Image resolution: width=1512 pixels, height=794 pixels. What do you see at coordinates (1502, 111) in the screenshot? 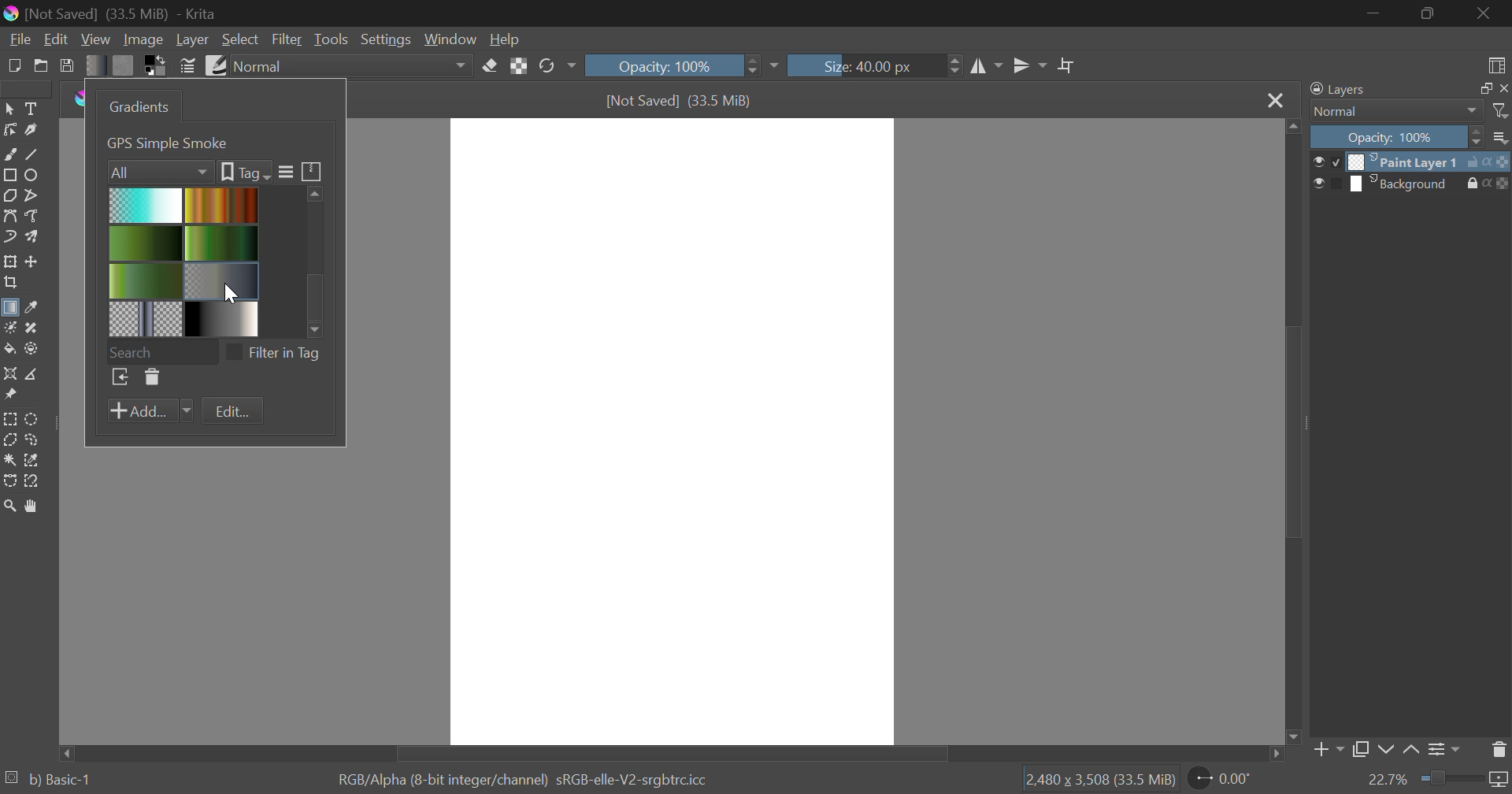
I see `filter` at bounding box center [1502, 111].